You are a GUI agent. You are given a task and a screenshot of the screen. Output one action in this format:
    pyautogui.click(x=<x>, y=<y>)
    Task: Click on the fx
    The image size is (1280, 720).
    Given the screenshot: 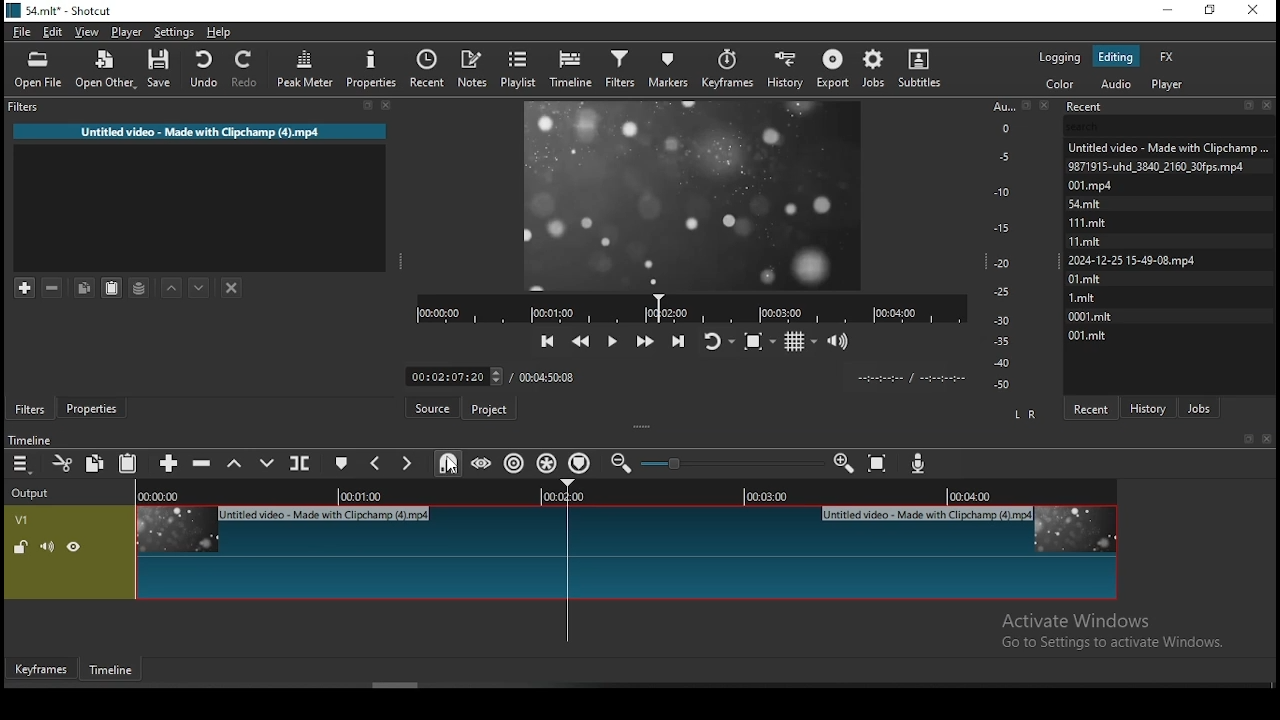 What is the action you would take?
    pyautogui.click(x=1166, y=56)
    